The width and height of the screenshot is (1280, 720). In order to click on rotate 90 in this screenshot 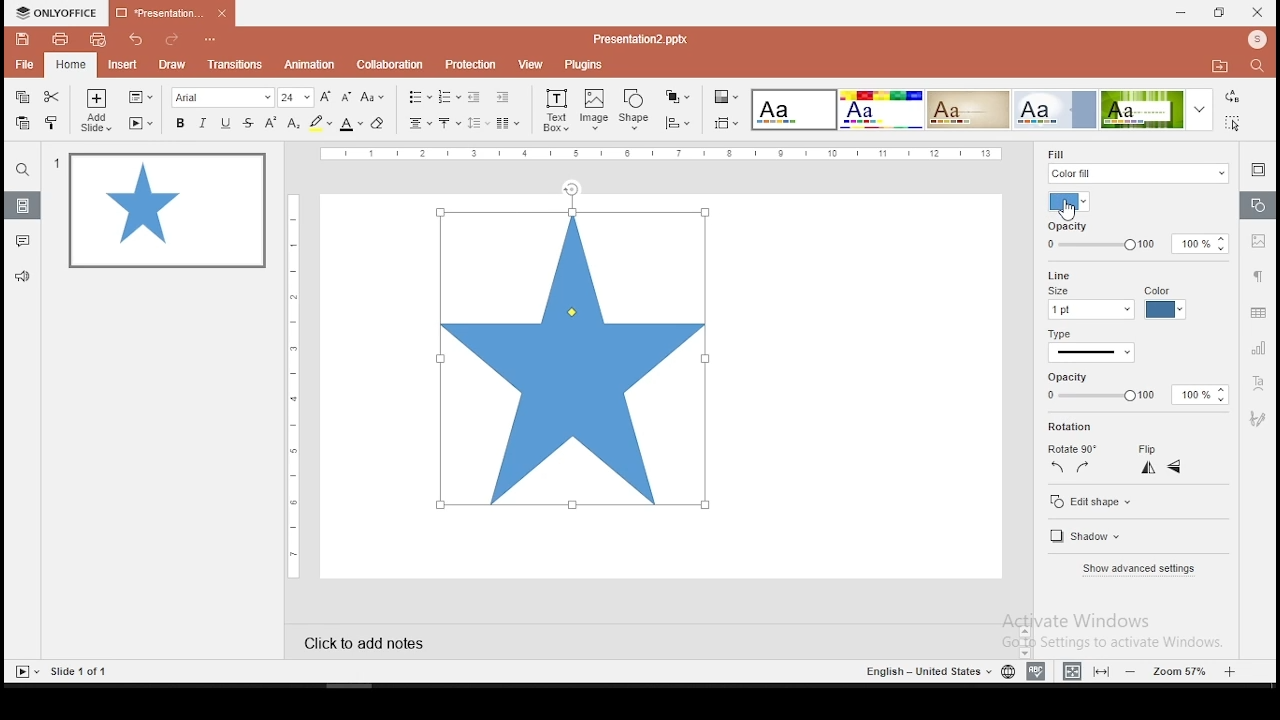, I will do `click(1070, 448)`.